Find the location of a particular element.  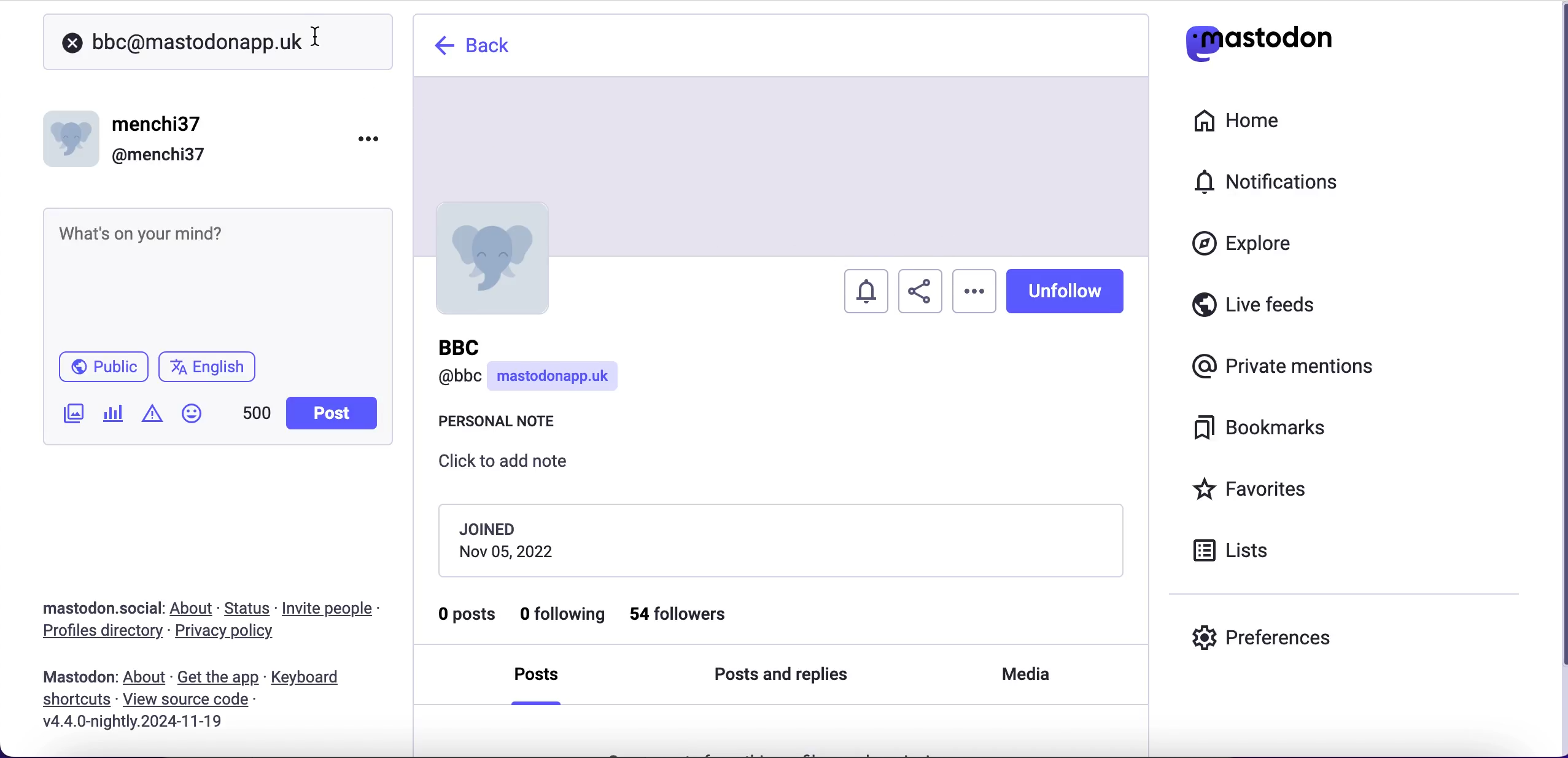

scroll bar is located at coordinates (1560, 378).